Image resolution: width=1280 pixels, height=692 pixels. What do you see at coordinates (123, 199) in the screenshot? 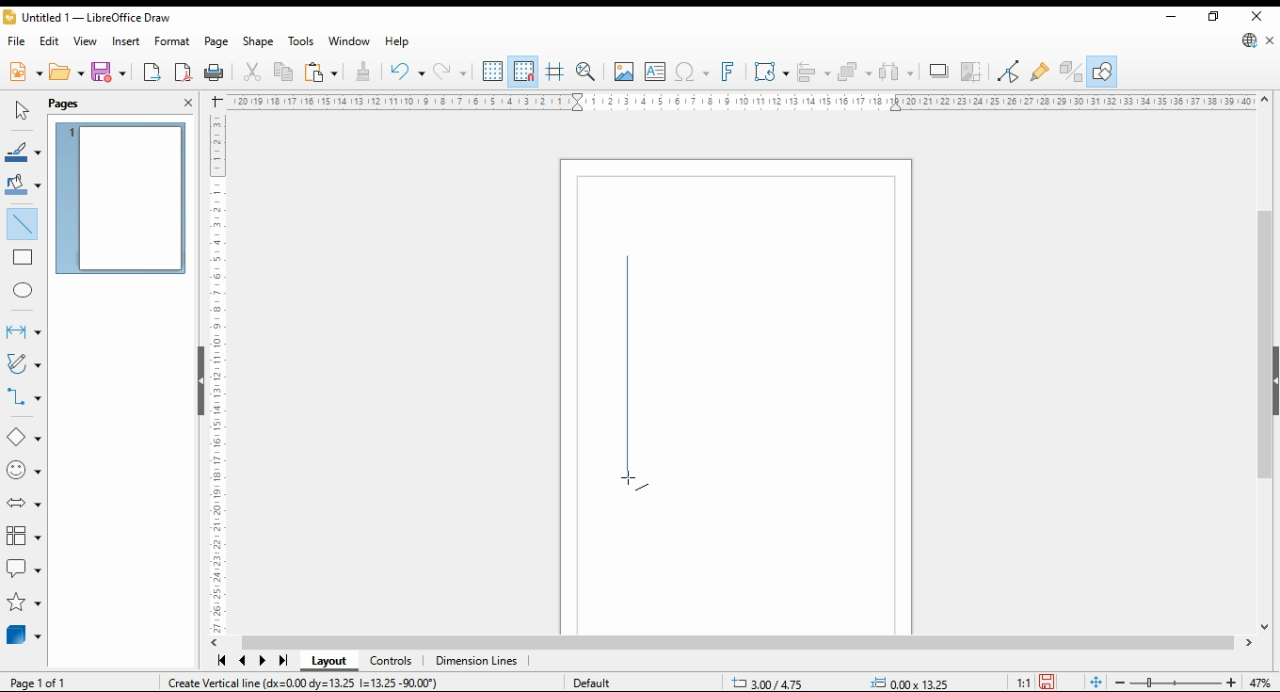
I see `page 1` at bounding box center [123, 199].